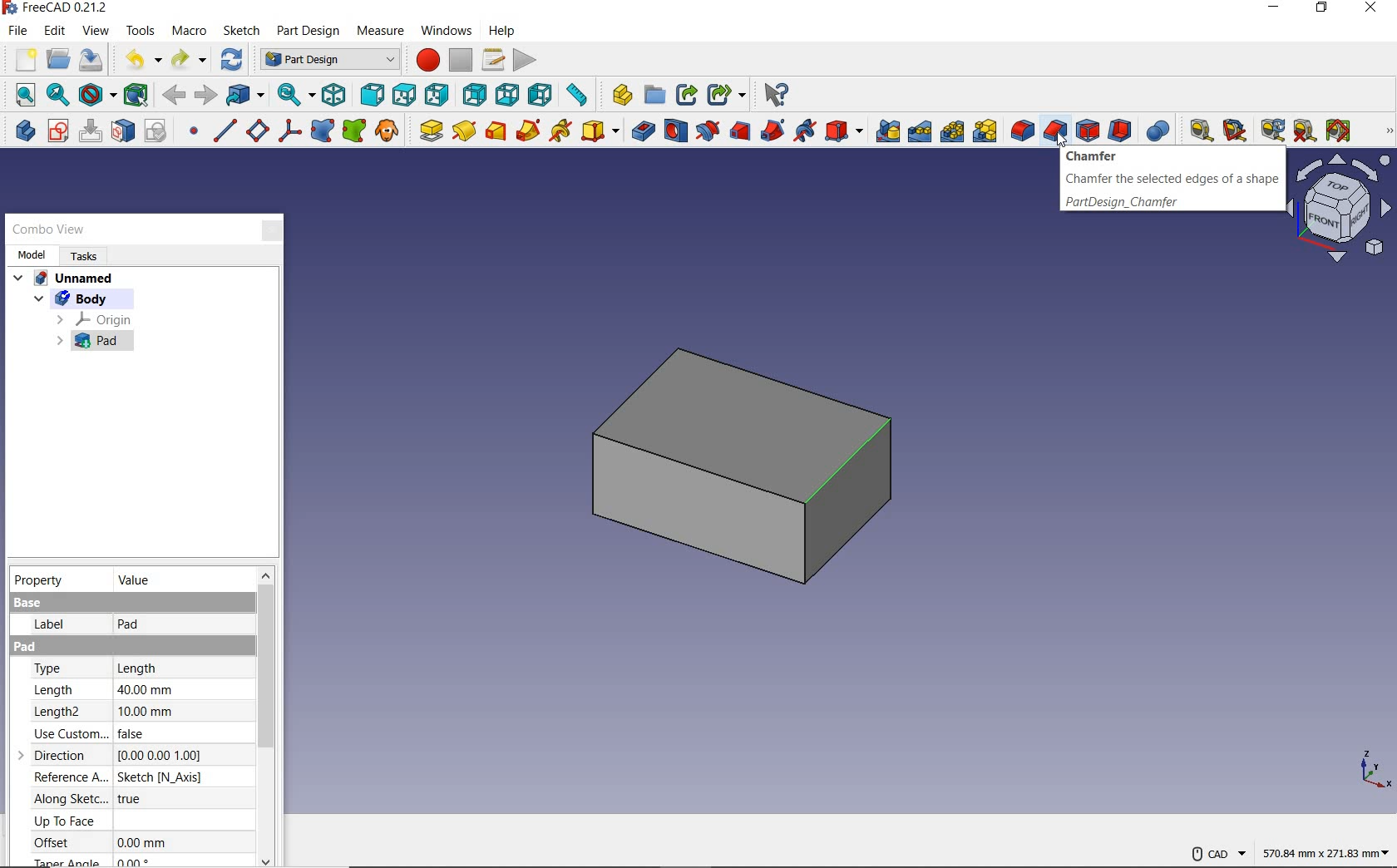 This screenshot has height=868, width=1397. I want to click on create a shaped binder, so click(324, 131).